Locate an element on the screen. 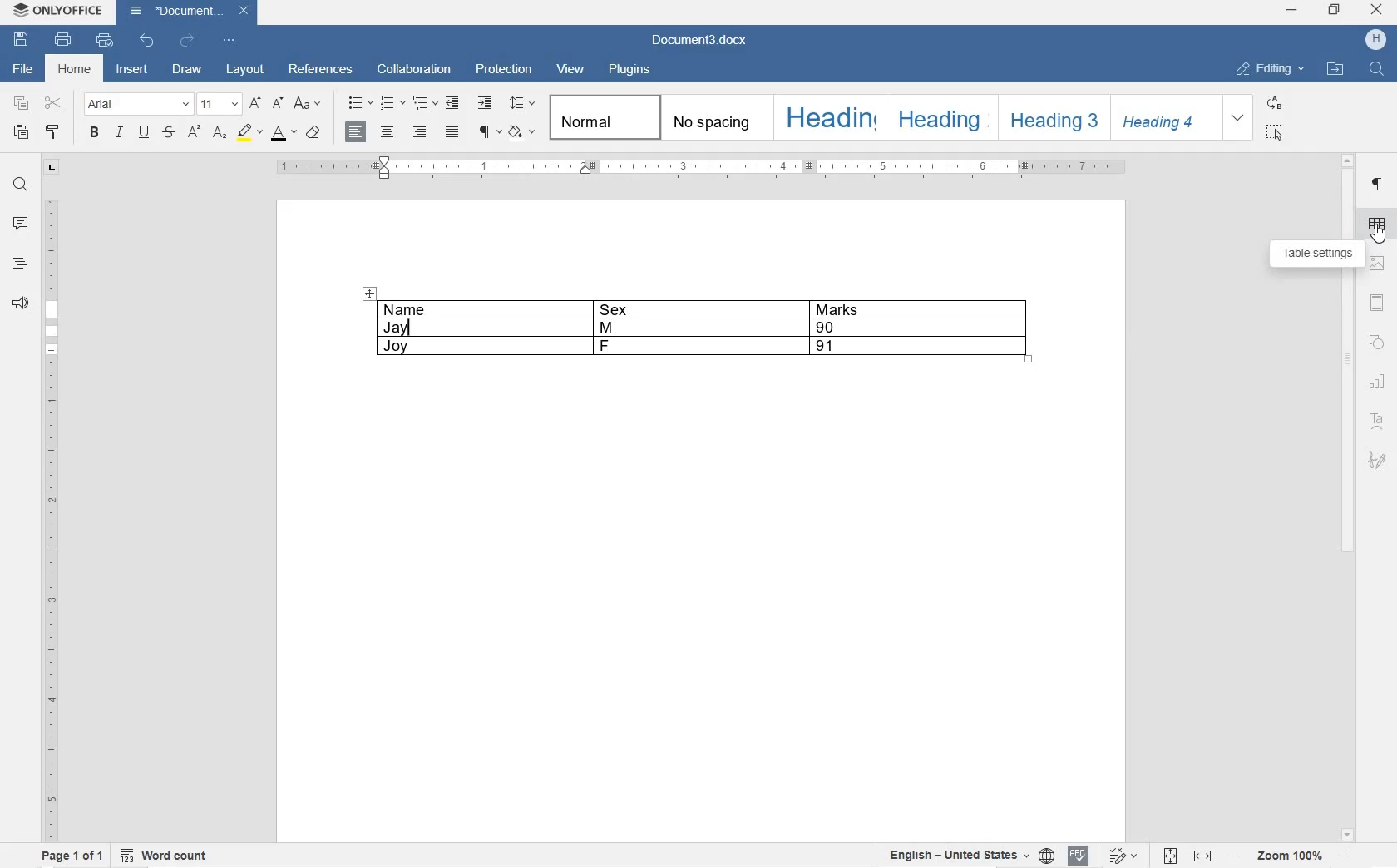  TEXT ART is located at coordinates (1378, 418).